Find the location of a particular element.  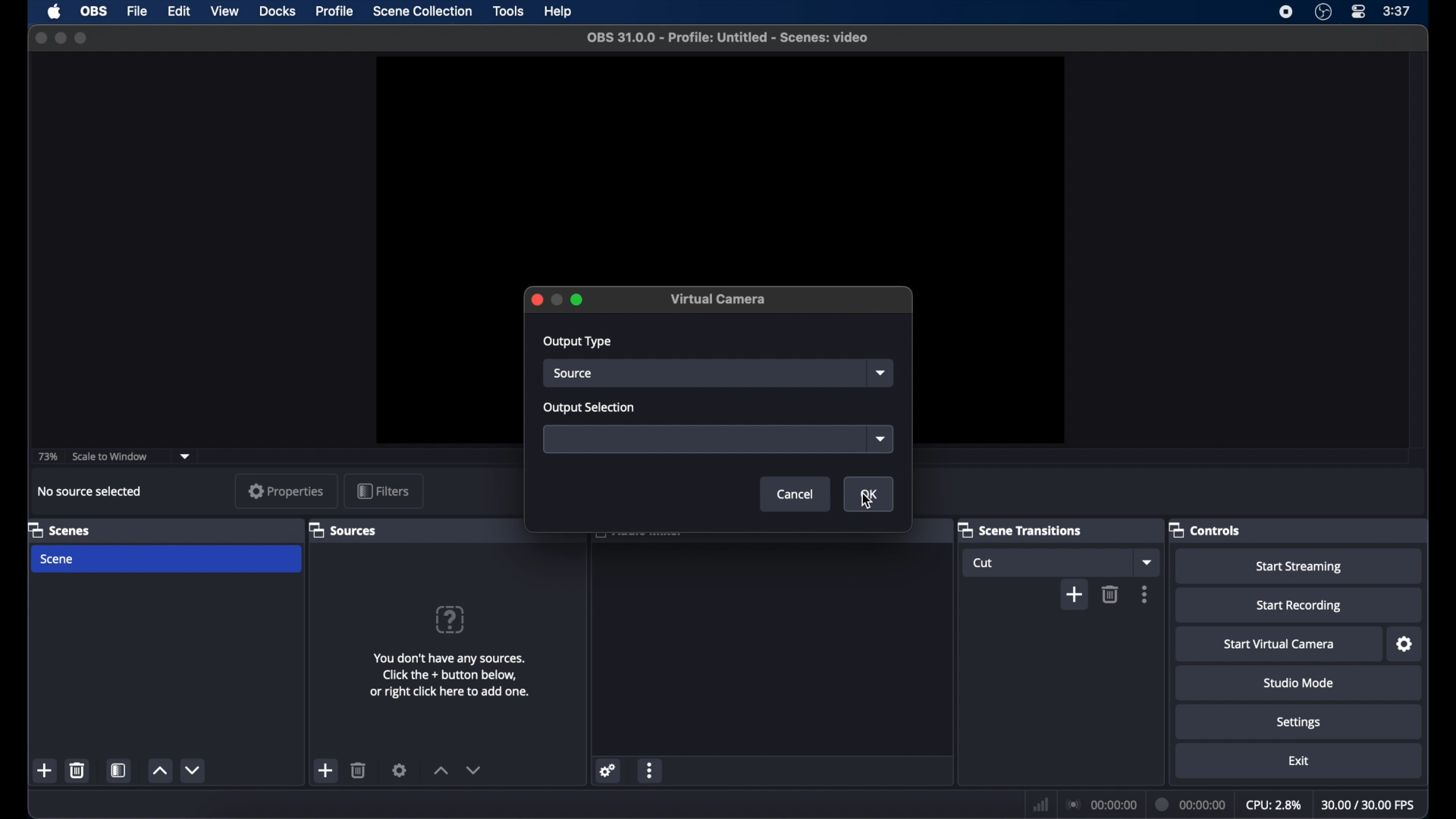

filters is located at coordinates (382, 490).